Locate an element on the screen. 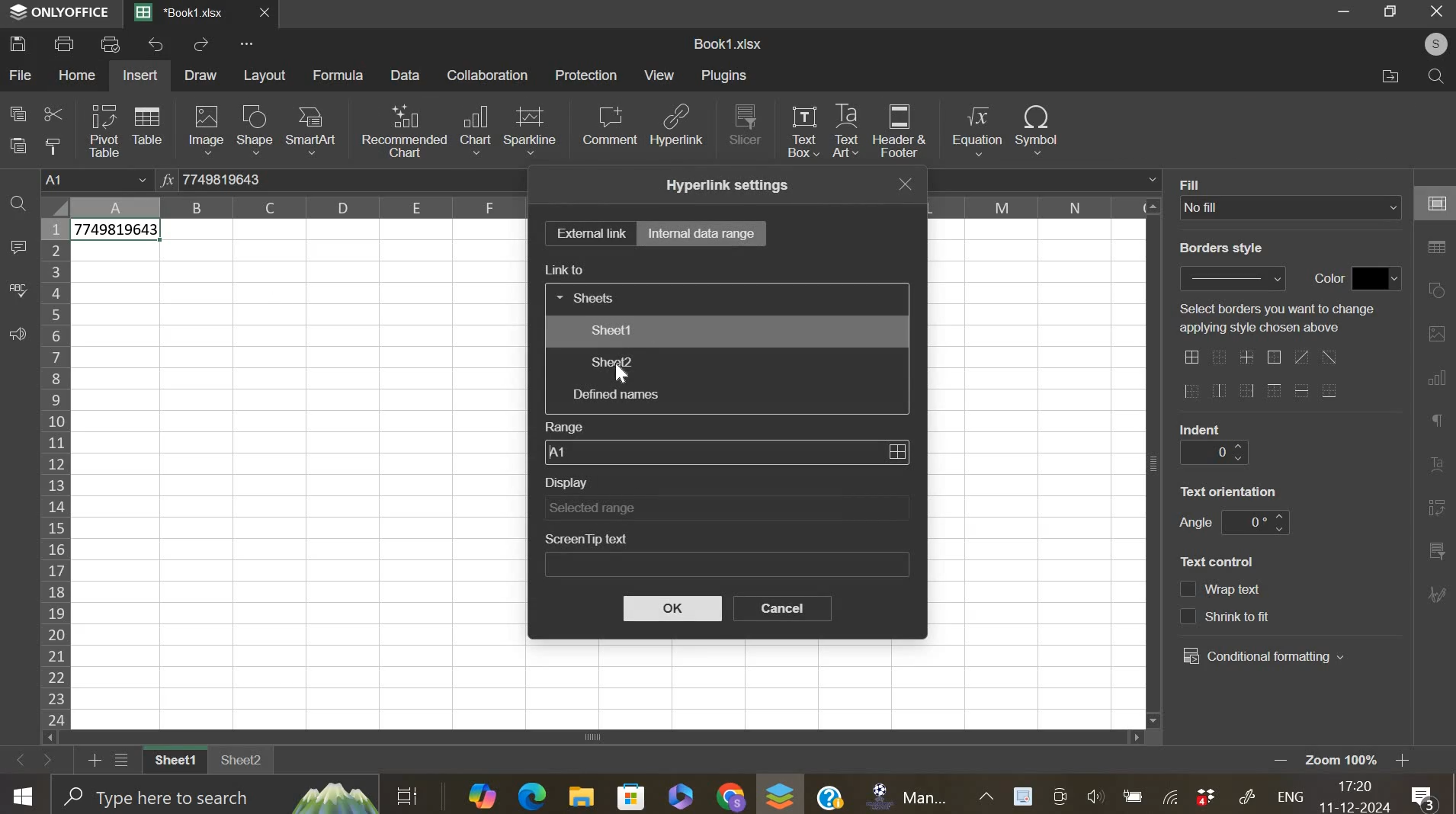  ok is located at coordinates (672, 609).